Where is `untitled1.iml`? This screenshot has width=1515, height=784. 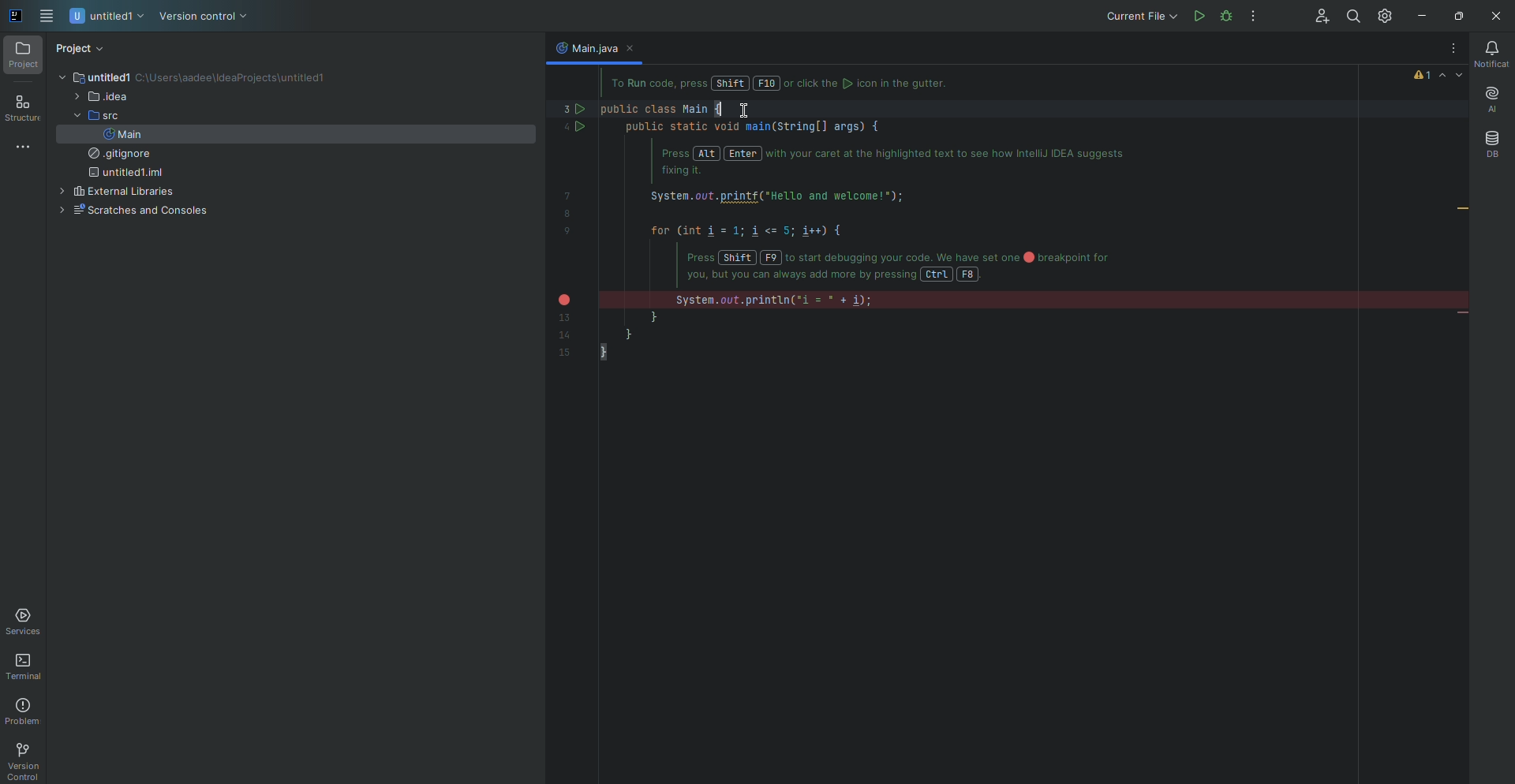
untitled1.iml is located at coordinates (123, 174).